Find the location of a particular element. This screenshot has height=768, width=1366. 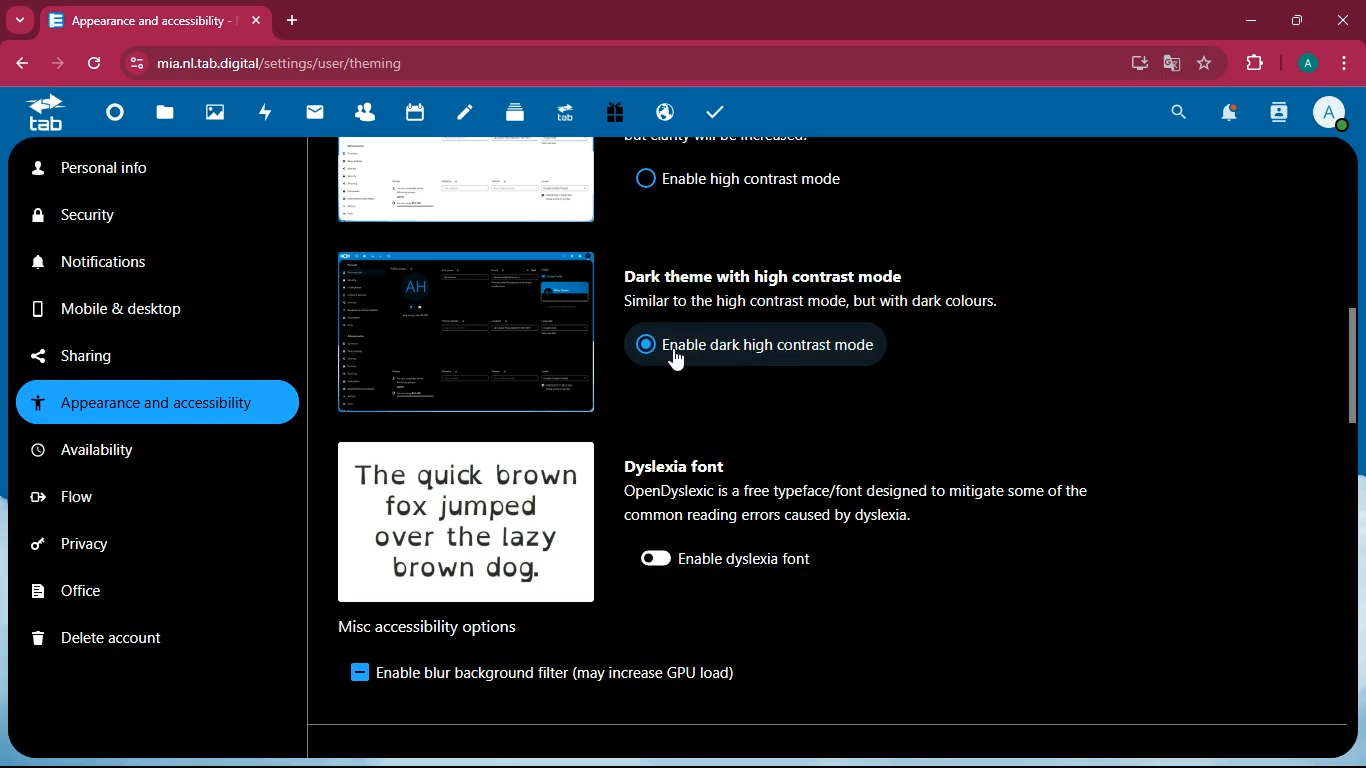

on/off is located at coordinates (639, 347).